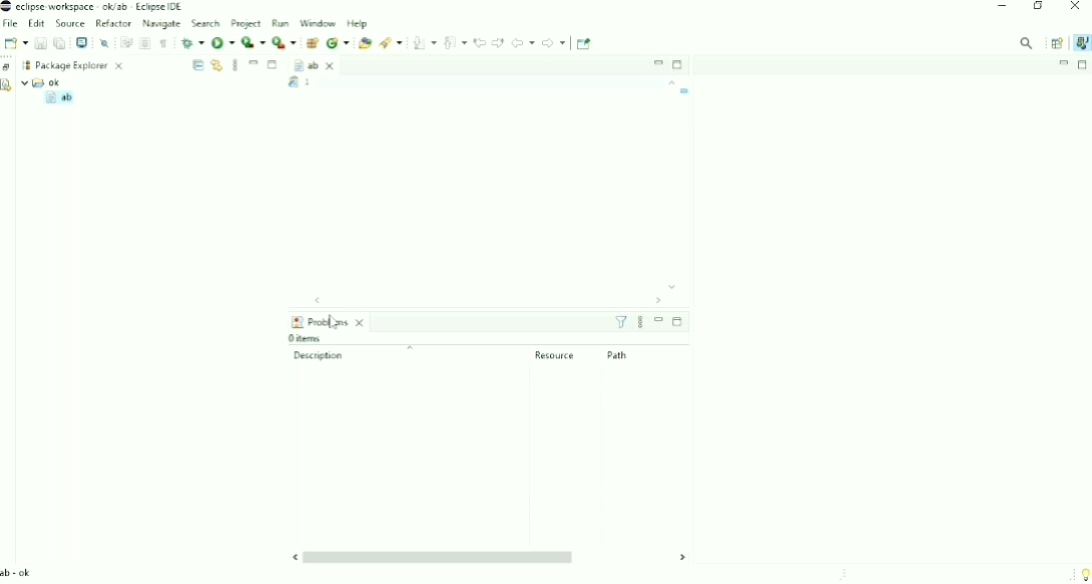  I want to click on 0 items, so click(310, 338).